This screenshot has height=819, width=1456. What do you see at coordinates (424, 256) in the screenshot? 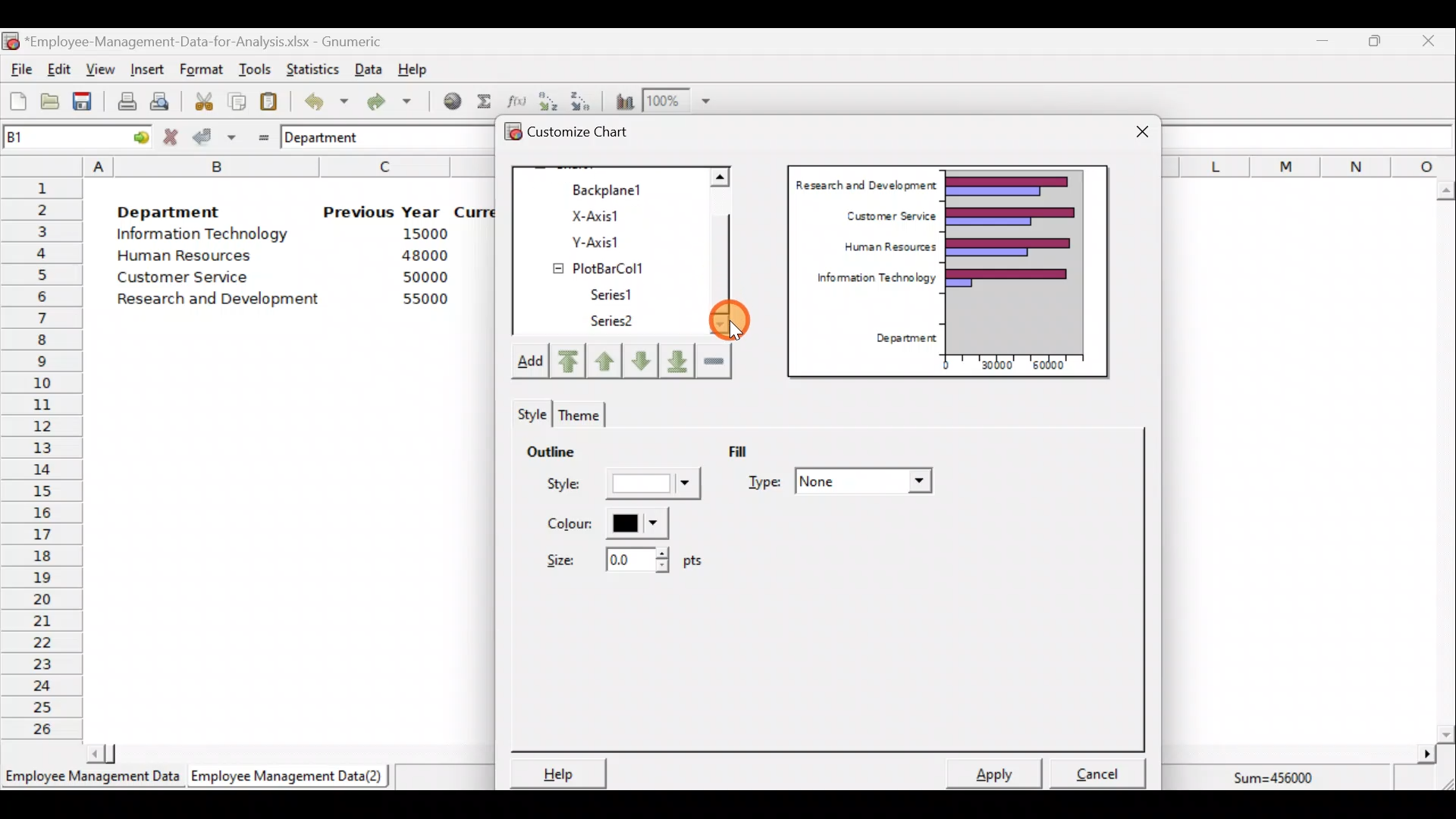
I see `48000` at bounding box center [424, 256].